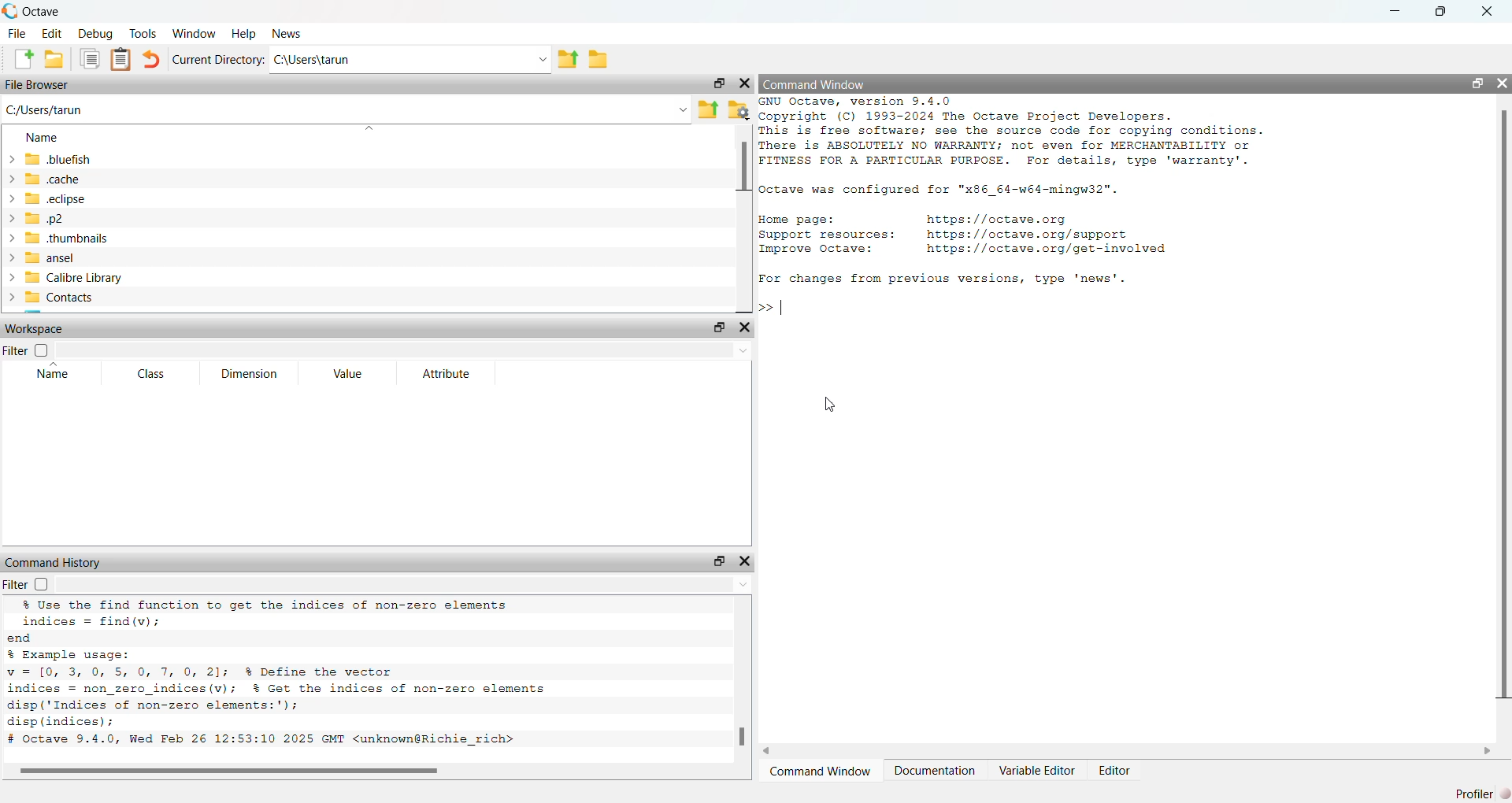  Describe the element at coordinates (122, 61) in the screenshot. I see `document clipboard` at that location.